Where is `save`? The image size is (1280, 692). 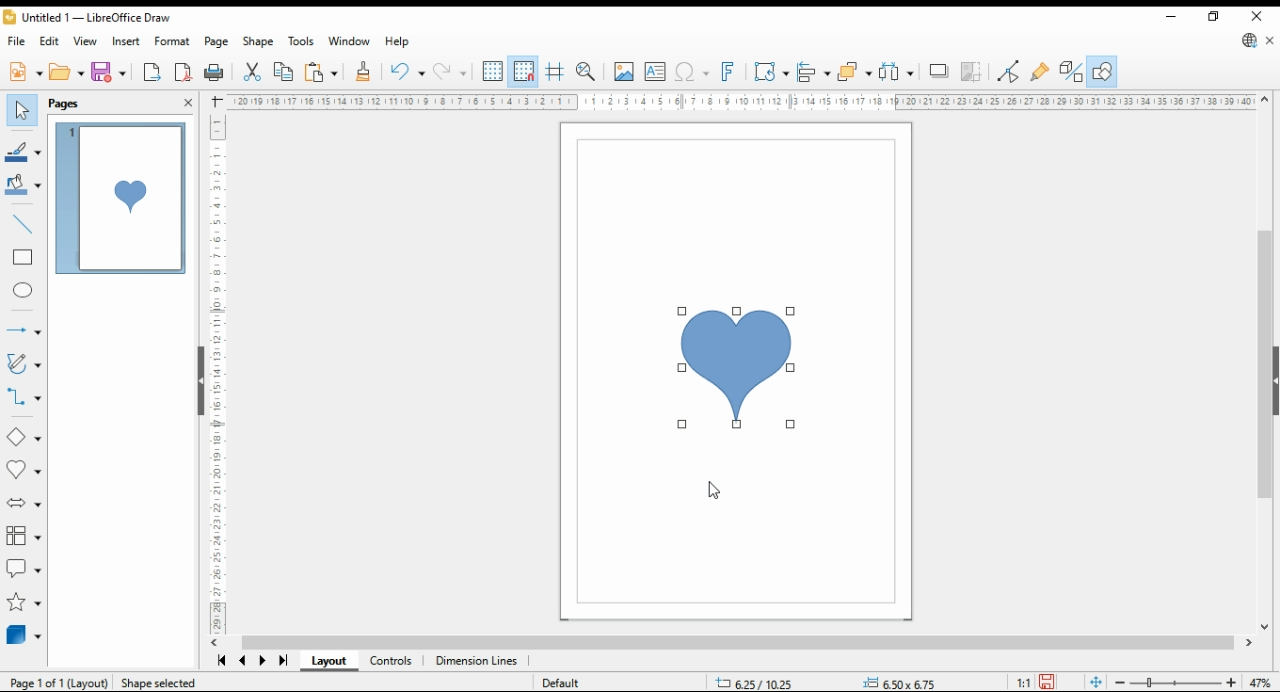
save is located at coordinates (110, 72).